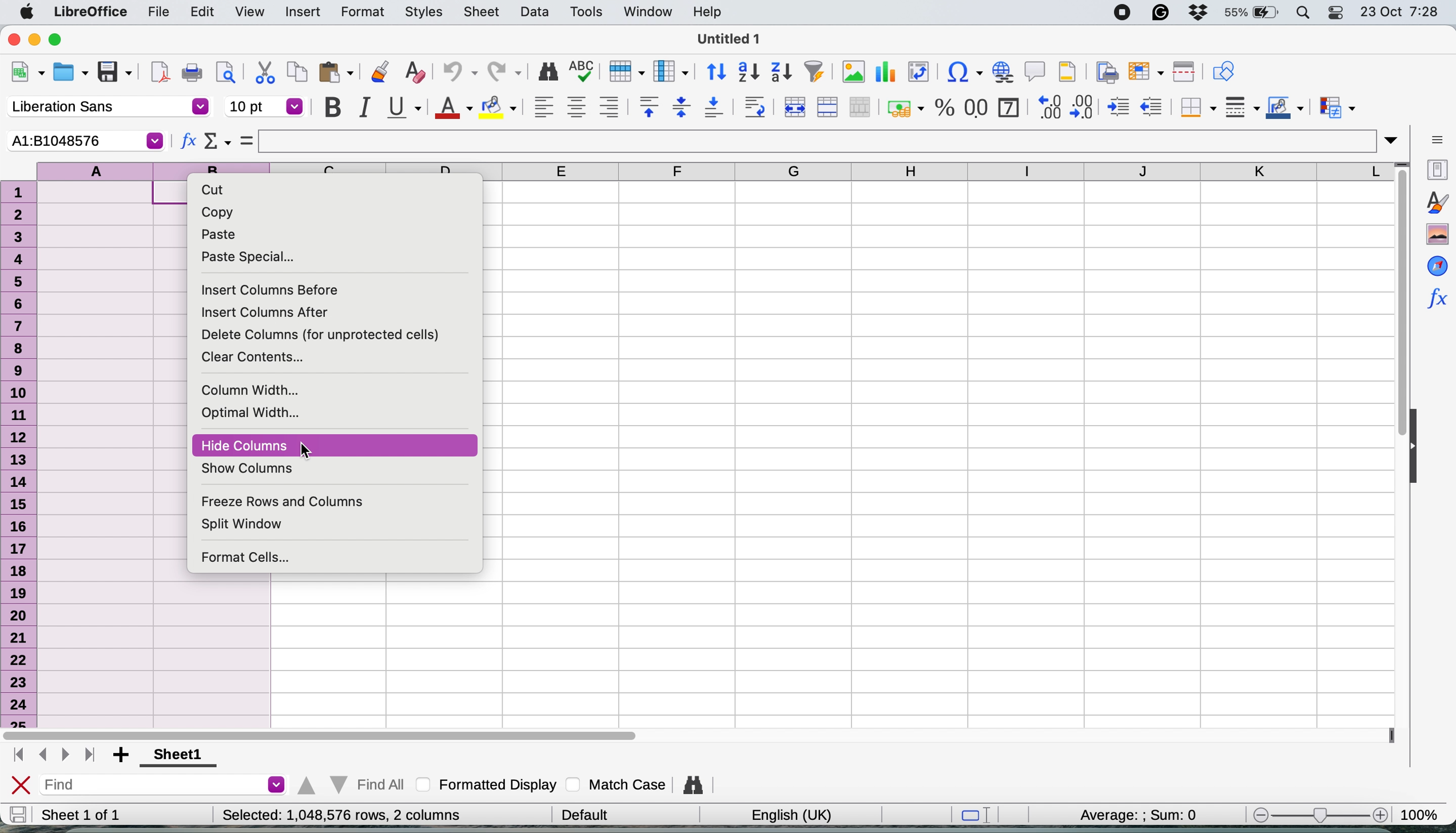  Describe the element at coordinates (225, 213) in the screenshot. I see `copy` at that location.